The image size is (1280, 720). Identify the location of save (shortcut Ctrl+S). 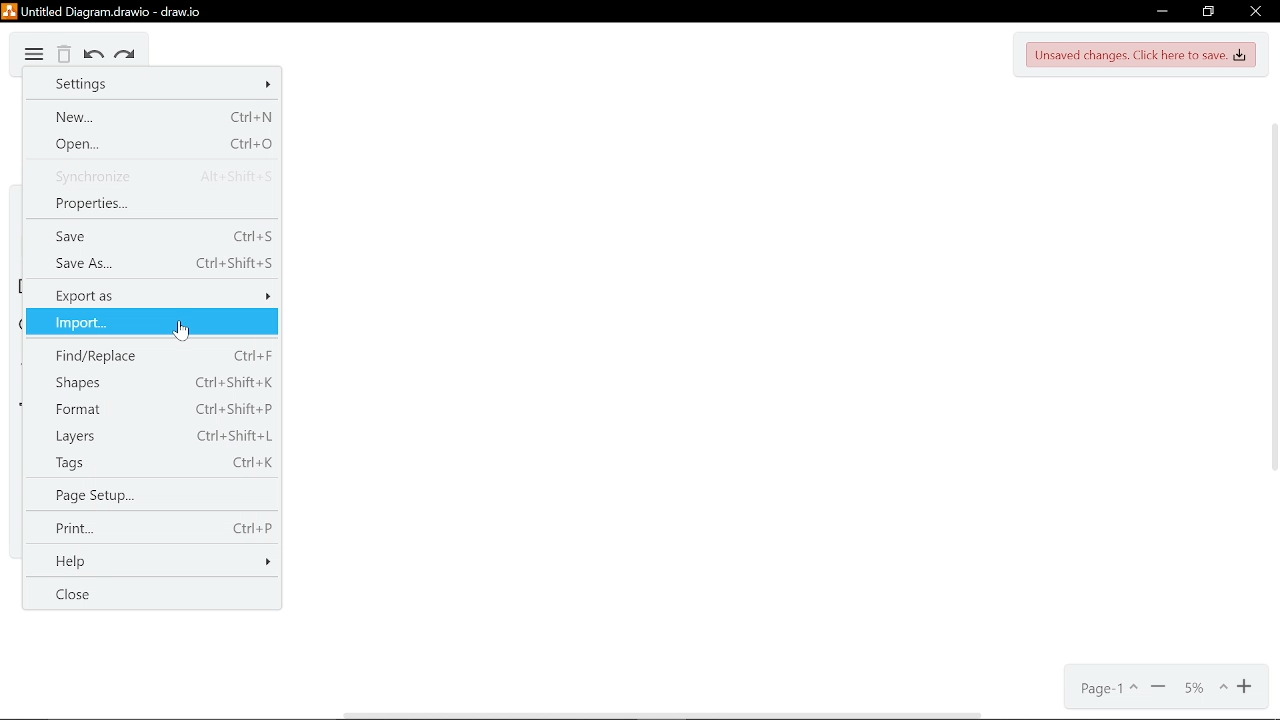
(152, 235).